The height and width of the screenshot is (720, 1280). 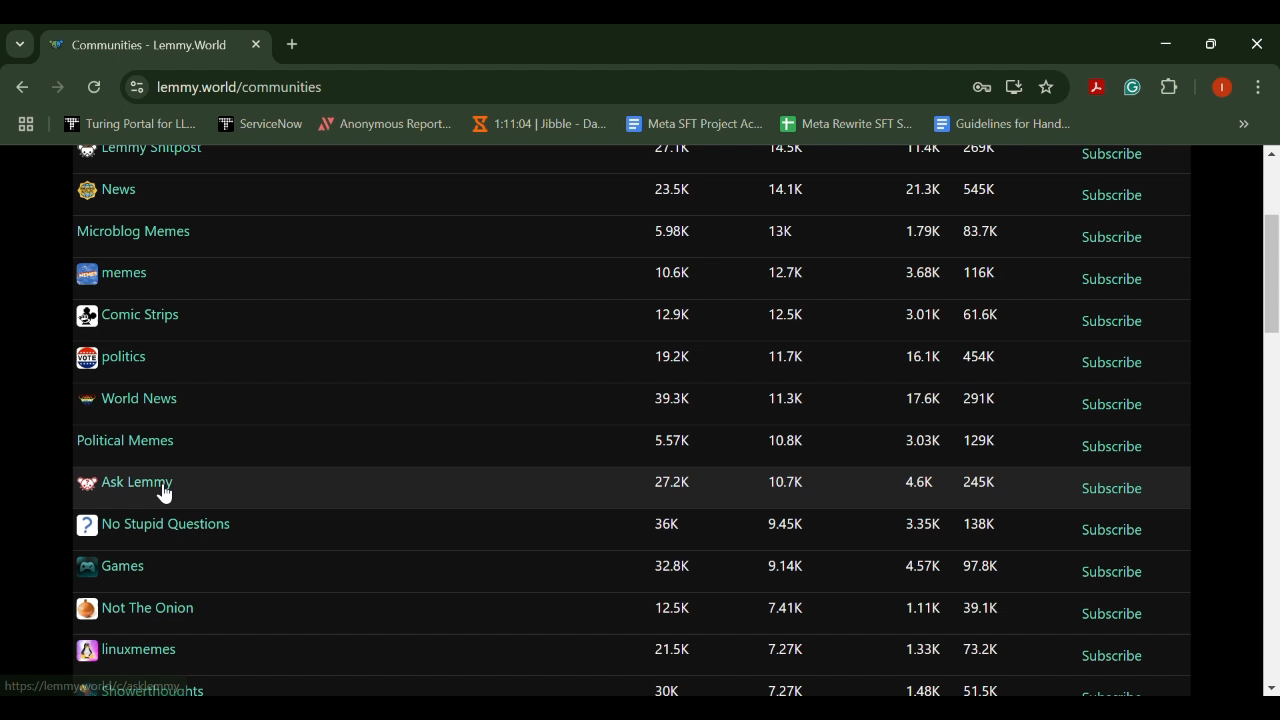 What do you see at coordinates (787, 191) in the screenshot?
I see `14.1K` at bounding box center [787, 191].